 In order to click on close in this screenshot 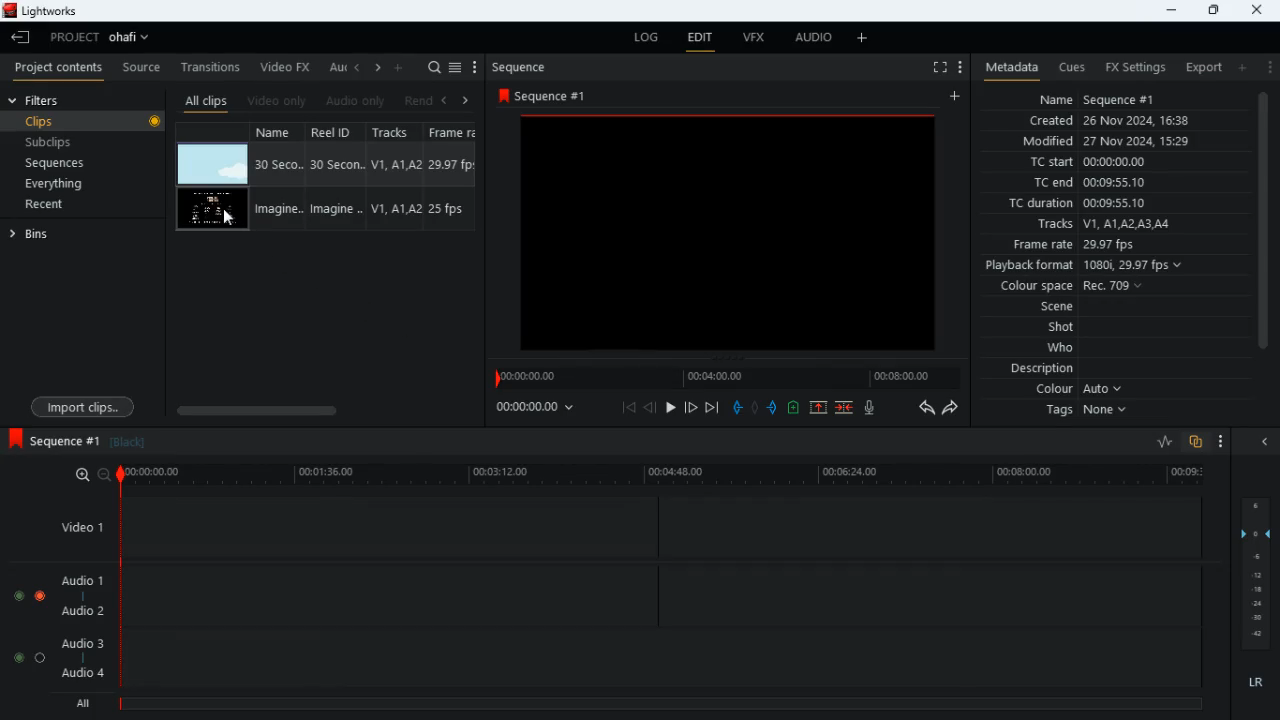, I will do `click(1259, 9)`.